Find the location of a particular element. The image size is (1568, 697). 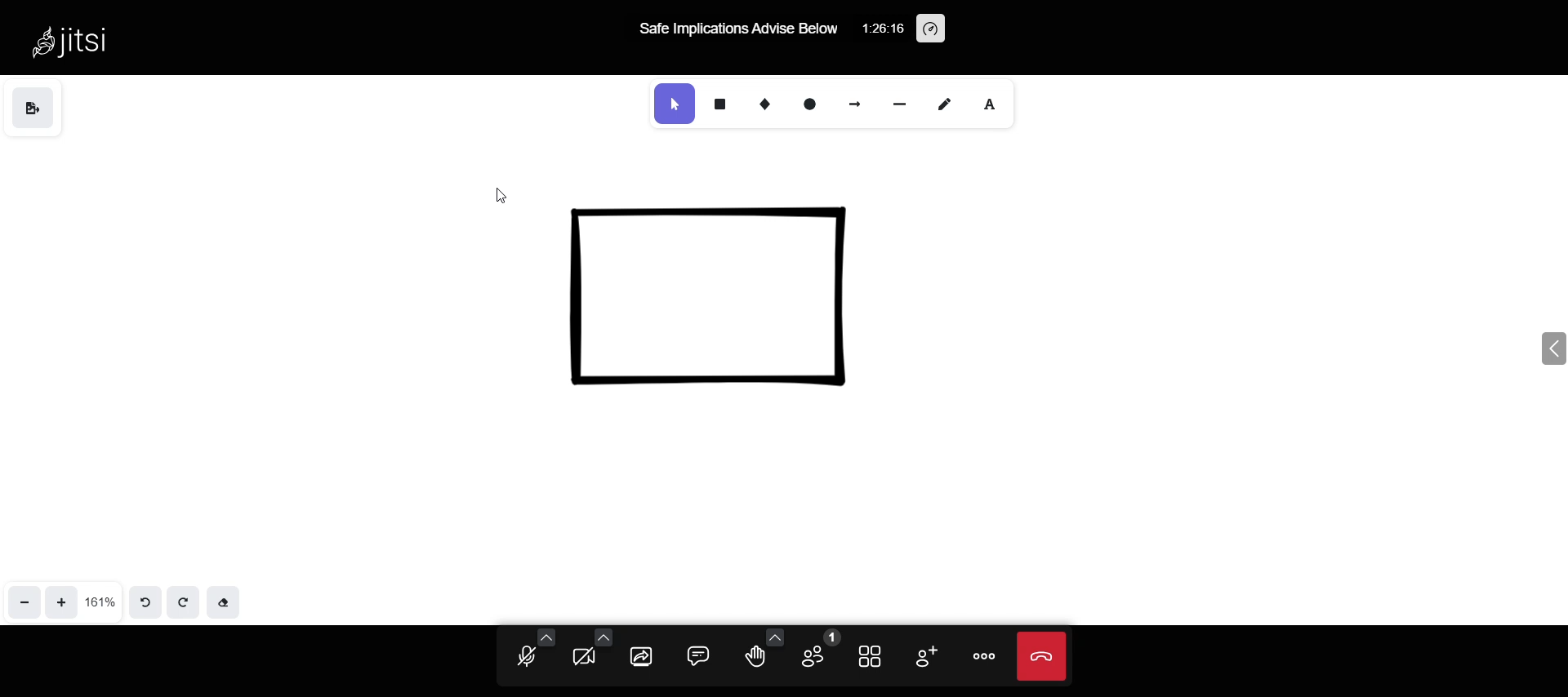

Eraser is located at coordinates (229, 600).